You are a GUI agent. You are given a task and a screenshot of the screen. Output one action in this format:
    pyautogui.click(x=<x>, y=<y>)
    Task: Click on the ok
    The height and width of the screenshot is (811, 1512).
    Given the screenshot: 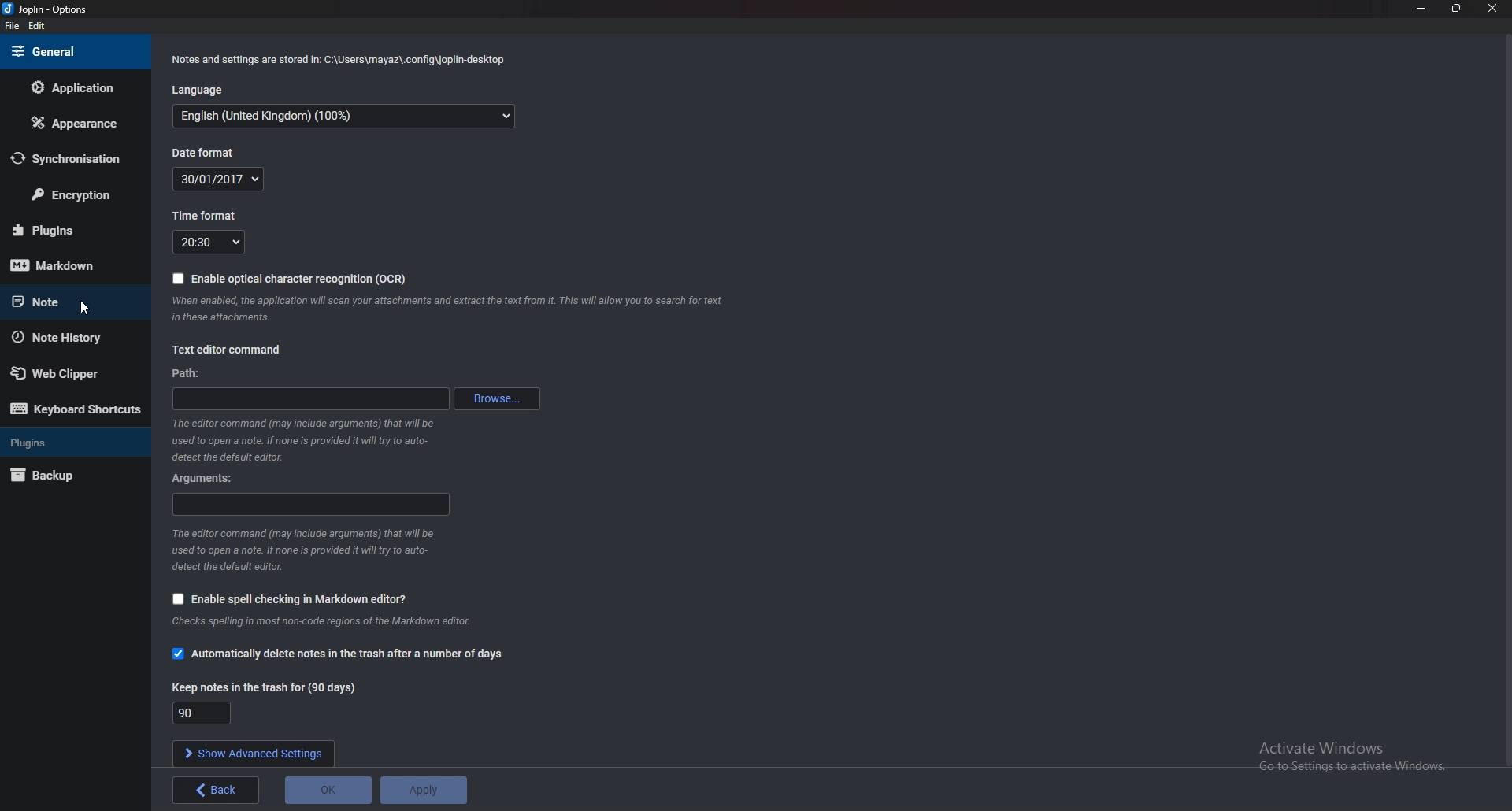 What is the action you would take?
    pyautogui.click(x=328, y=791)
    